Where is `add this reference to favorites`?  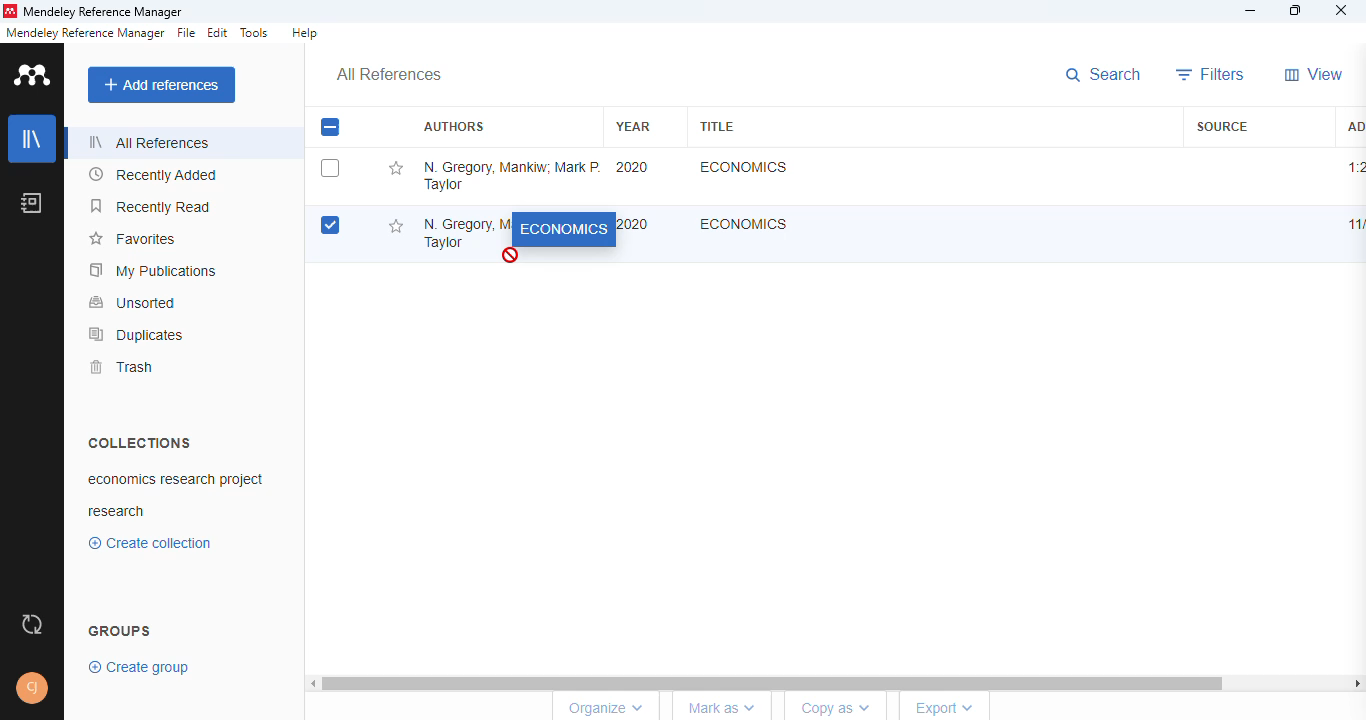 add this reference to favorites is located at coordinates (395, 169).